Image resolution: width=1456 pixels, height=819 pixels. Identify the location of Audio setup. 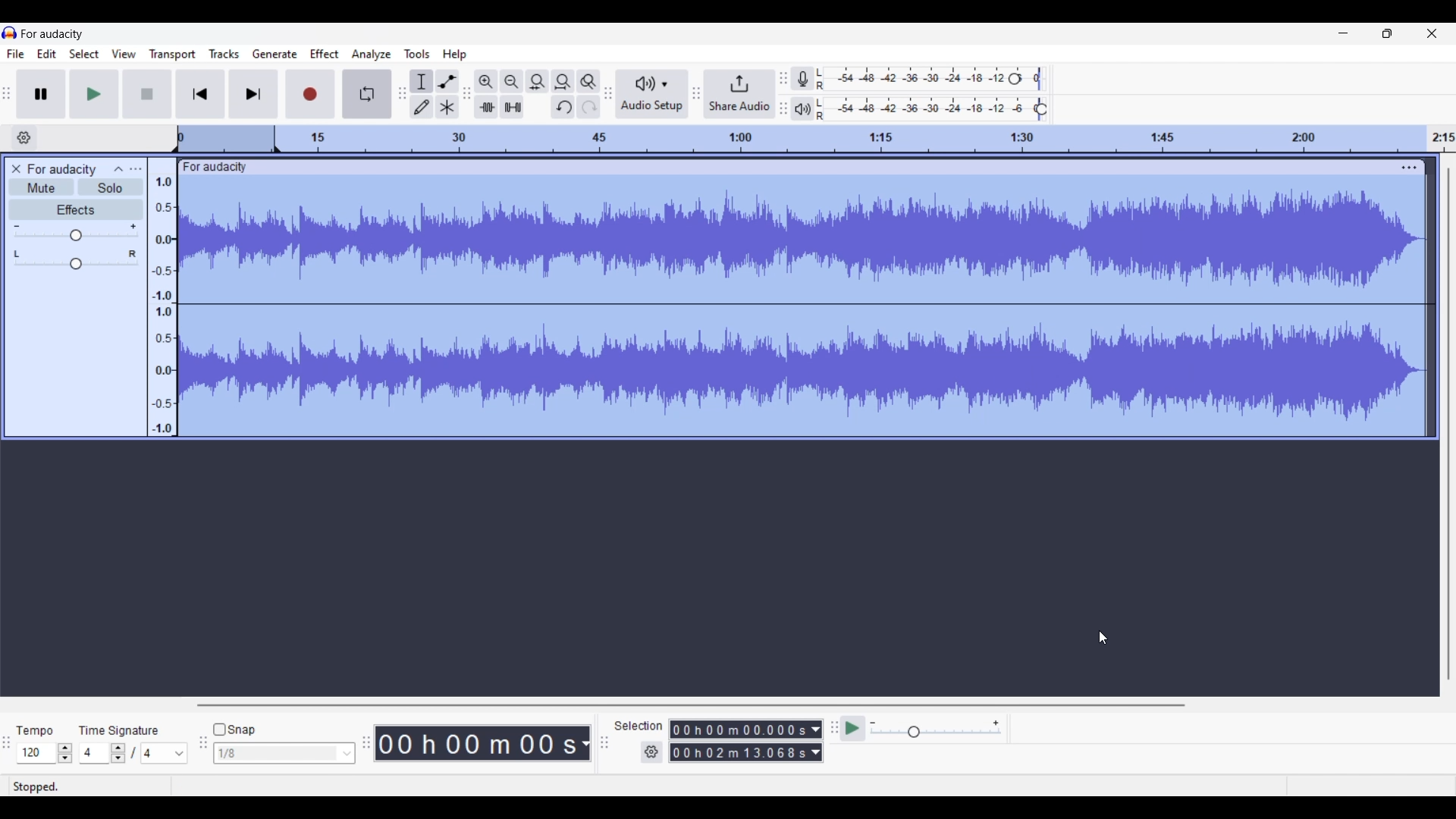
(652, 94).